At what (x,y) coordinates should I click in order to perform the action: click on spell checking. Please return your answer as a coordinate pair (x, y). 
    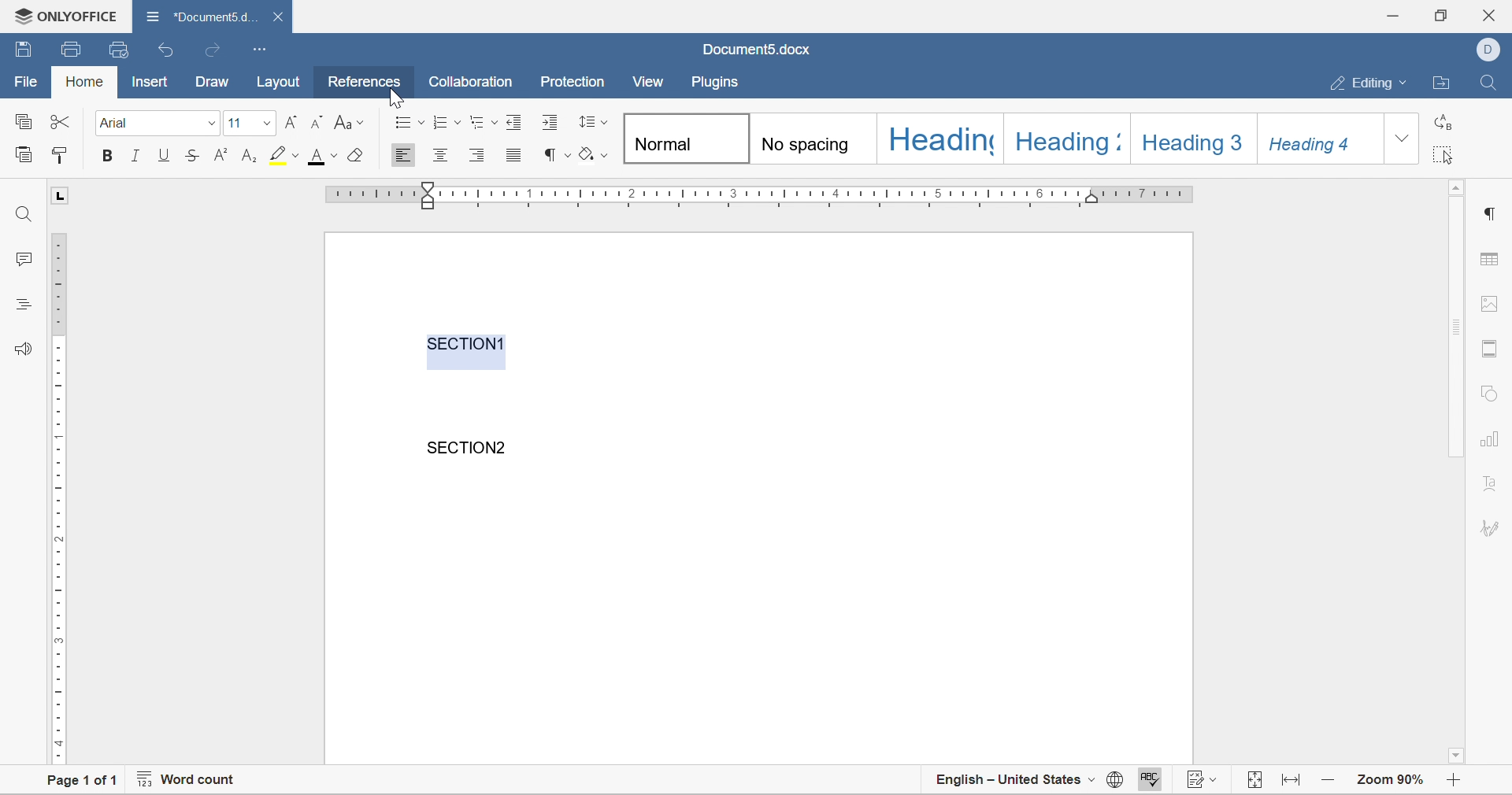
    Looking at the image, I should click on (1147, 782).